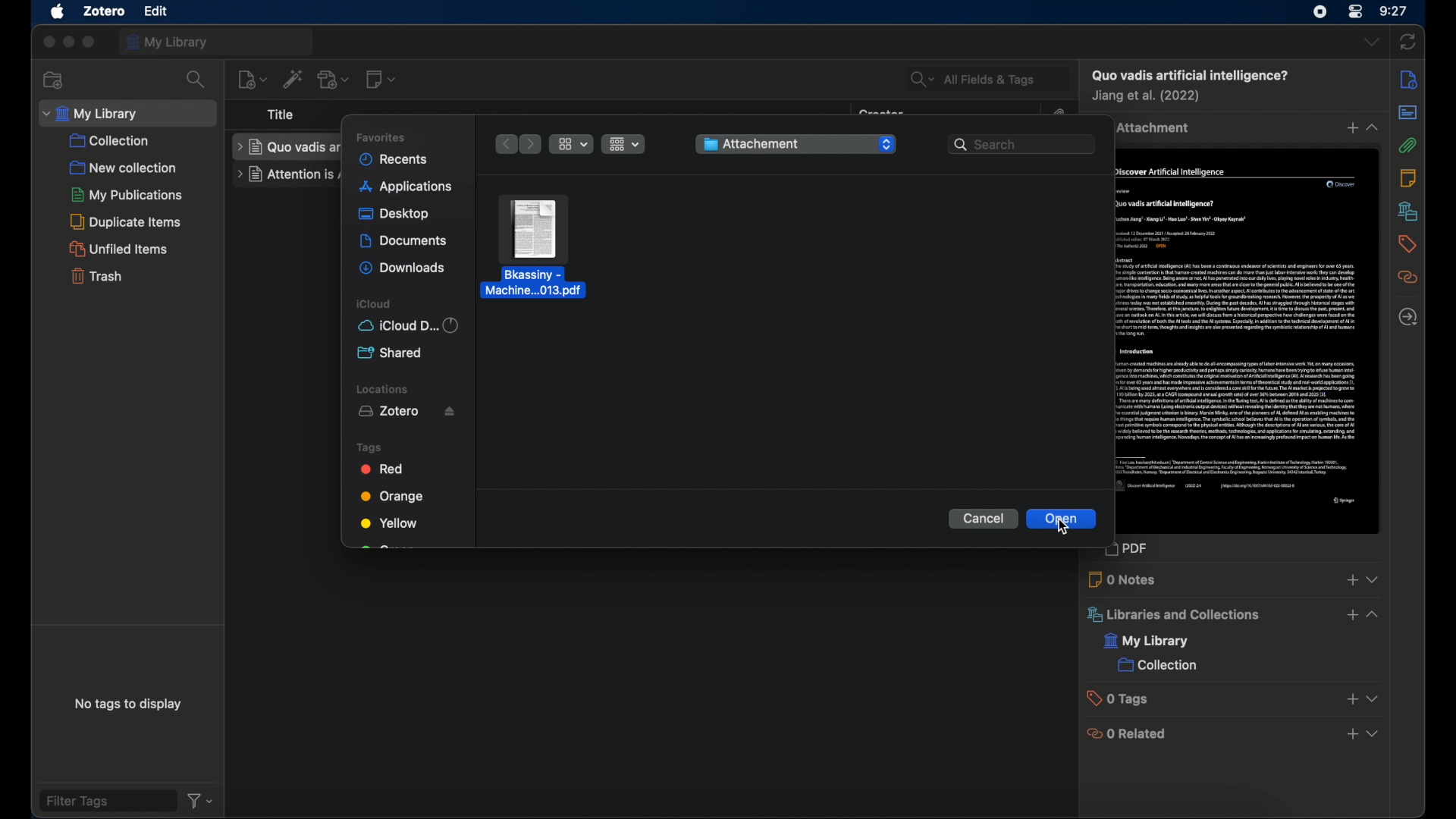 This screenshot has height=819, width=1456. What do you see at coordinates (124, 167) in the screenshot?
I see `new collection` at bounding box center [124, 167].